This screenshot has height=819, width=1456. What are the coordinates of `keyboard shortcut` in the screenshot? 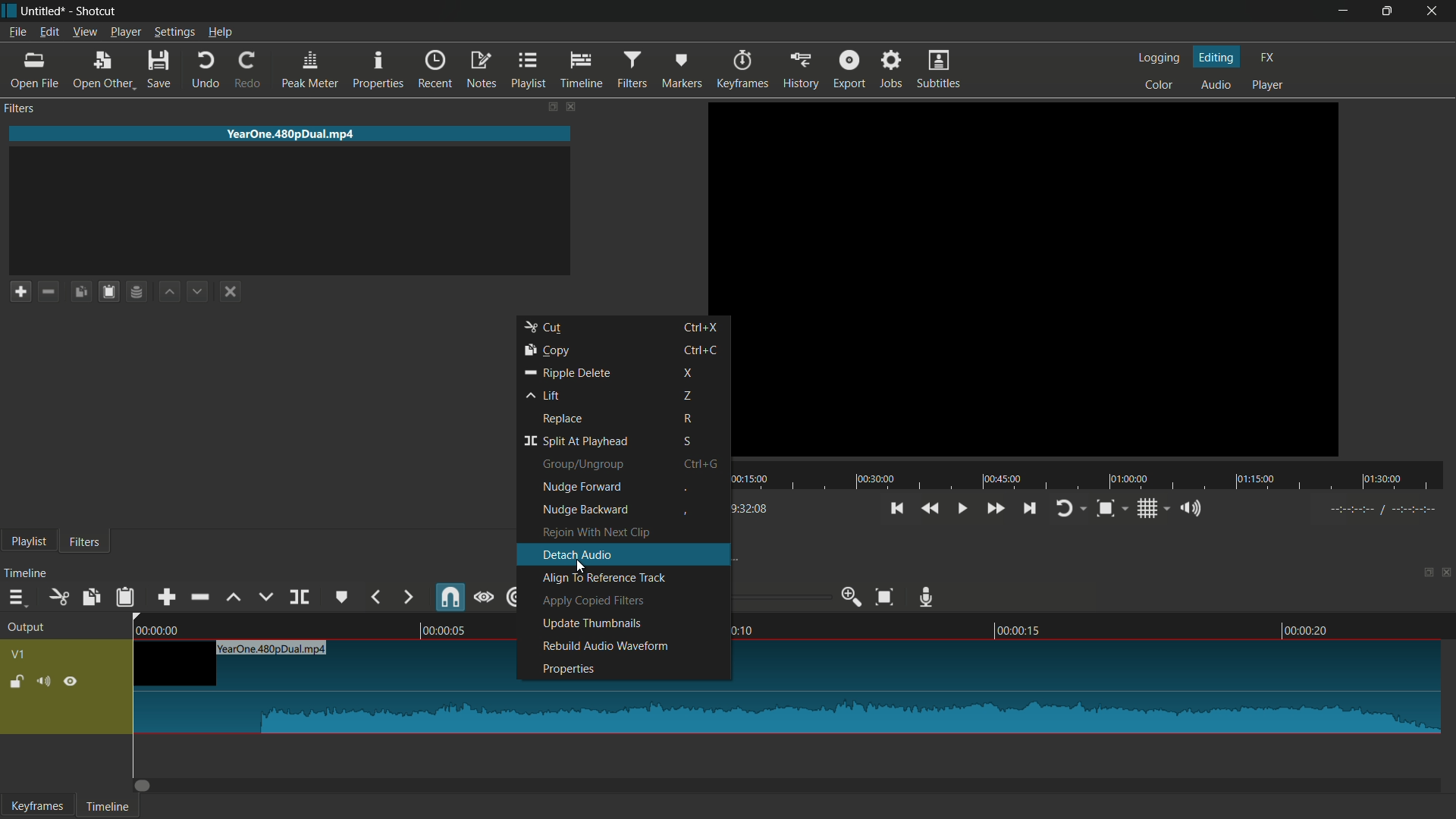 It's located at (689, 420).